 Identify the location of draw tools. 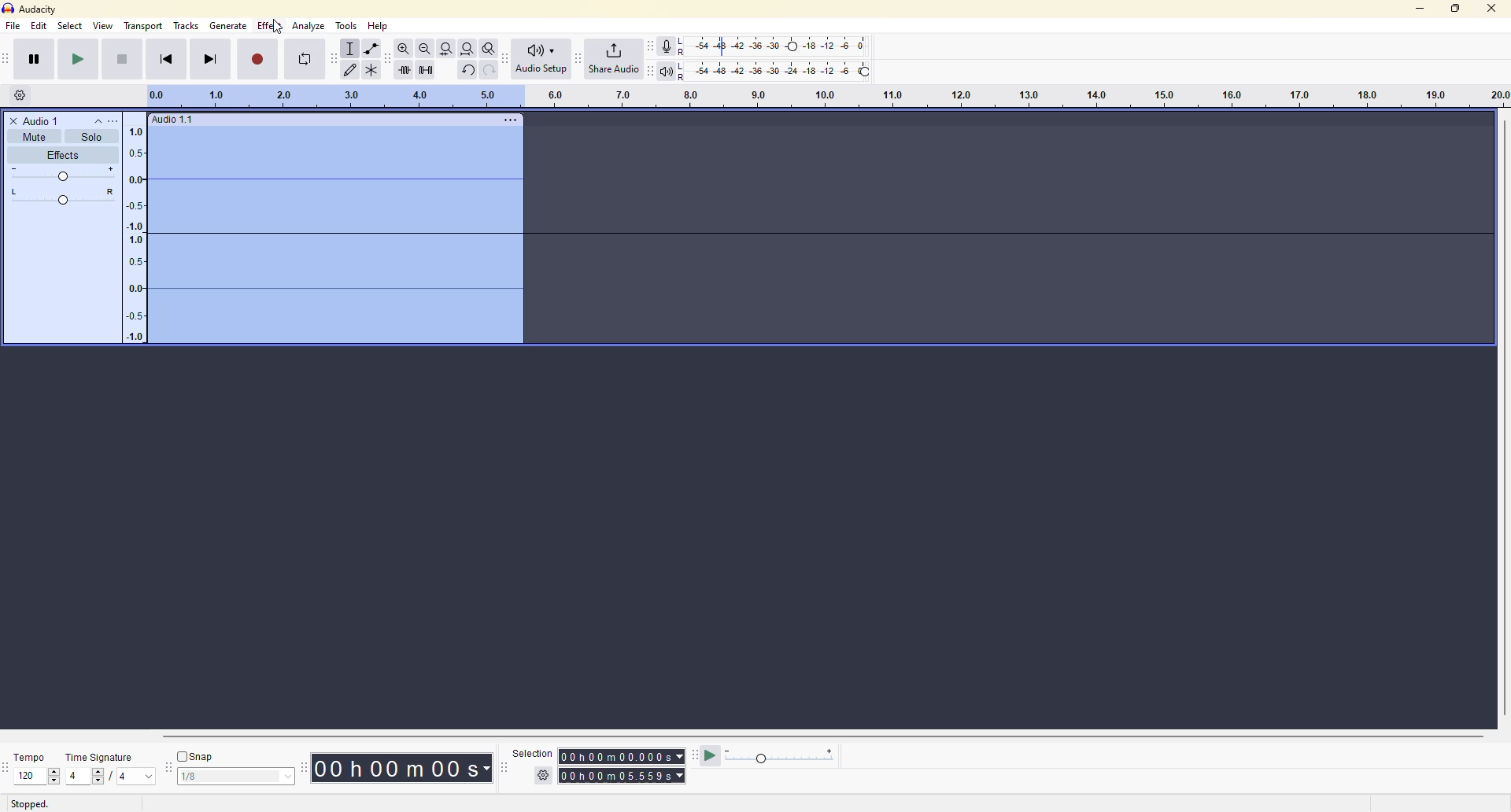
(352, 69).